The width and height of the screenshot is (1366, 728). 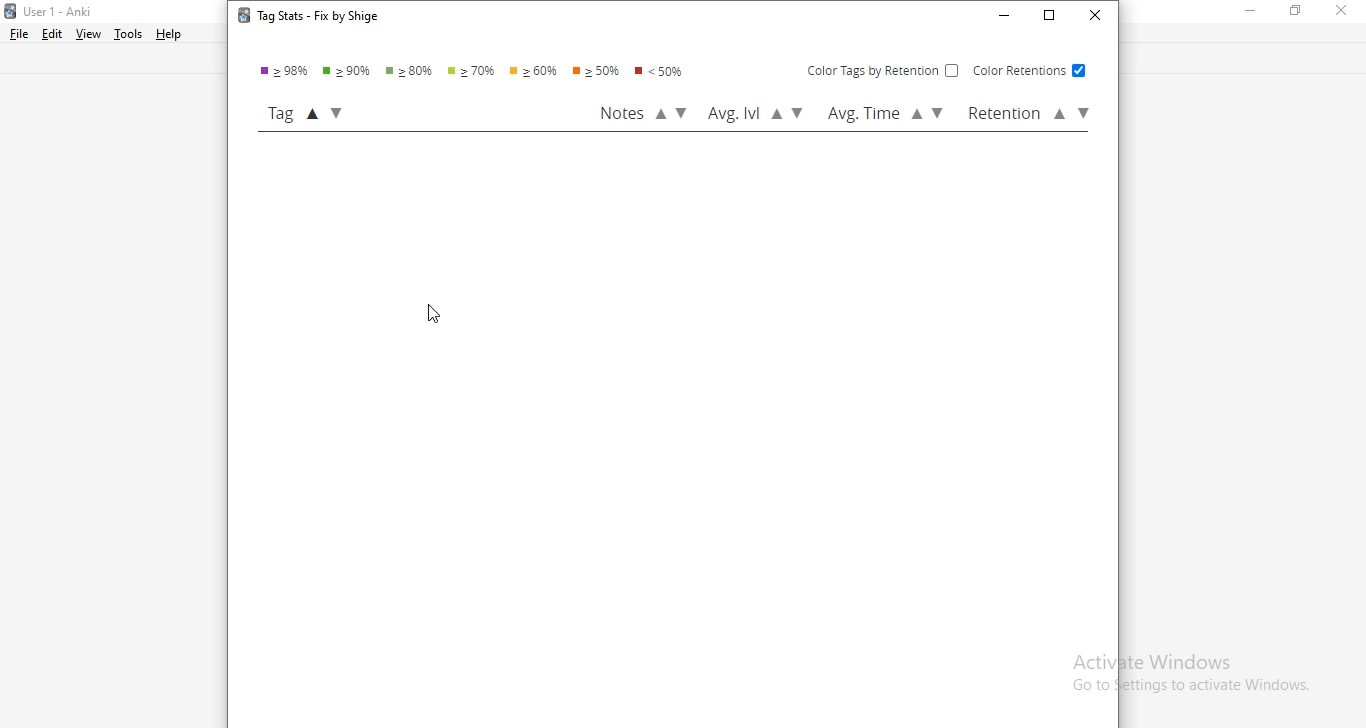 What do you see at coordinates (886, 116) in the screenshot?
I see `avg time` at bounding box center [886, 116].